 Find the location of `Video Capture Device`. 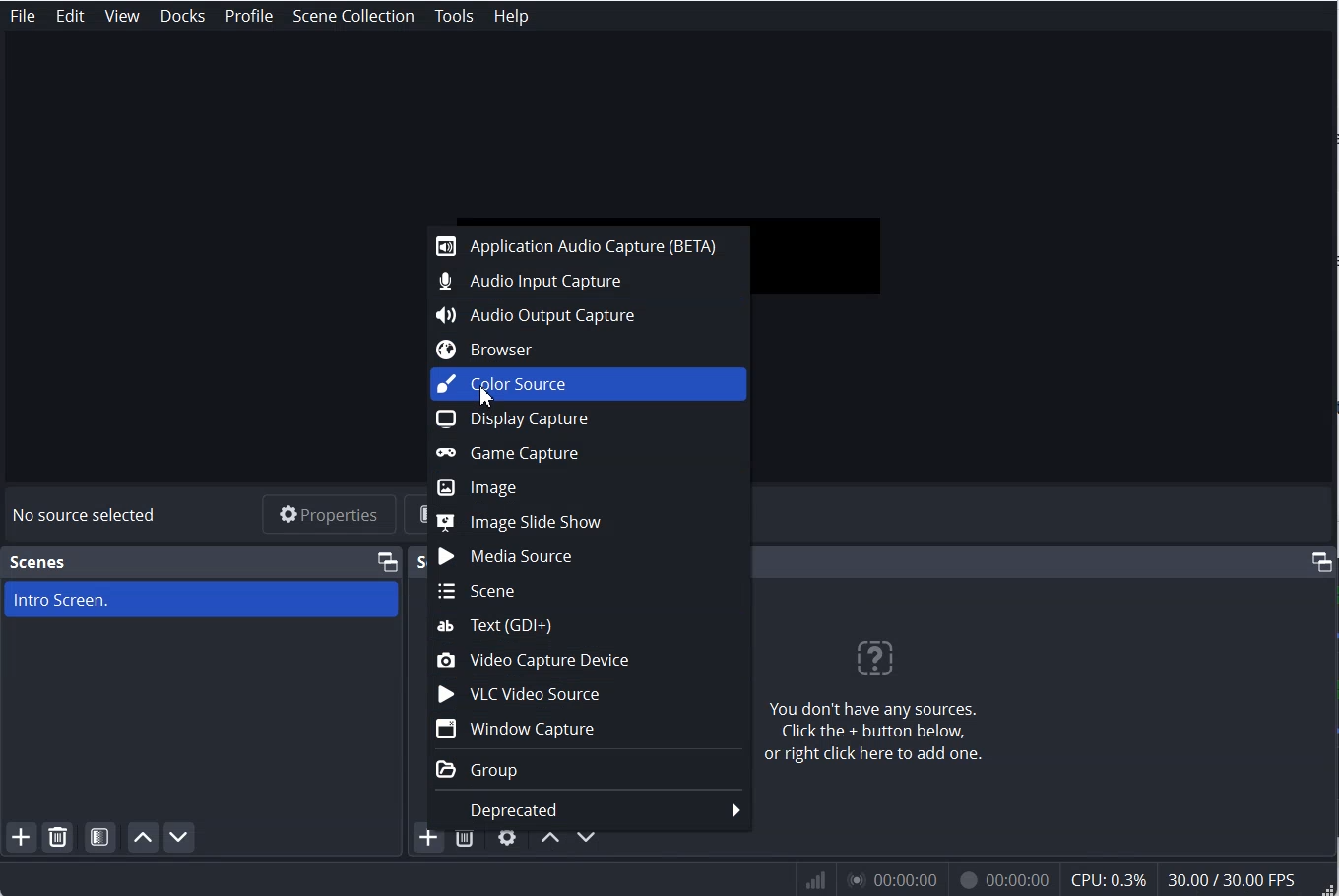

Video Capture Device is located at coordinates (590, 661).